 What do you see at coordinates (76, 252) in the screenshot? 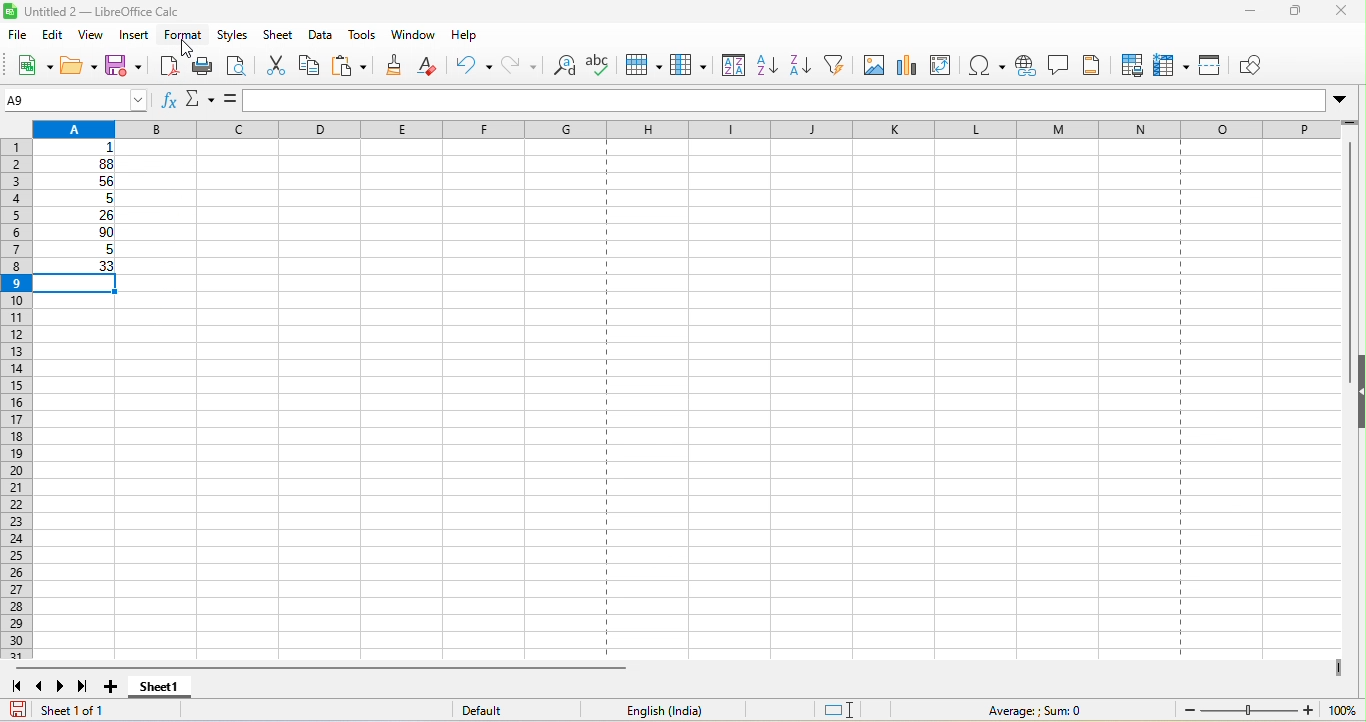
I see `5` at bounding box center [76, 252].